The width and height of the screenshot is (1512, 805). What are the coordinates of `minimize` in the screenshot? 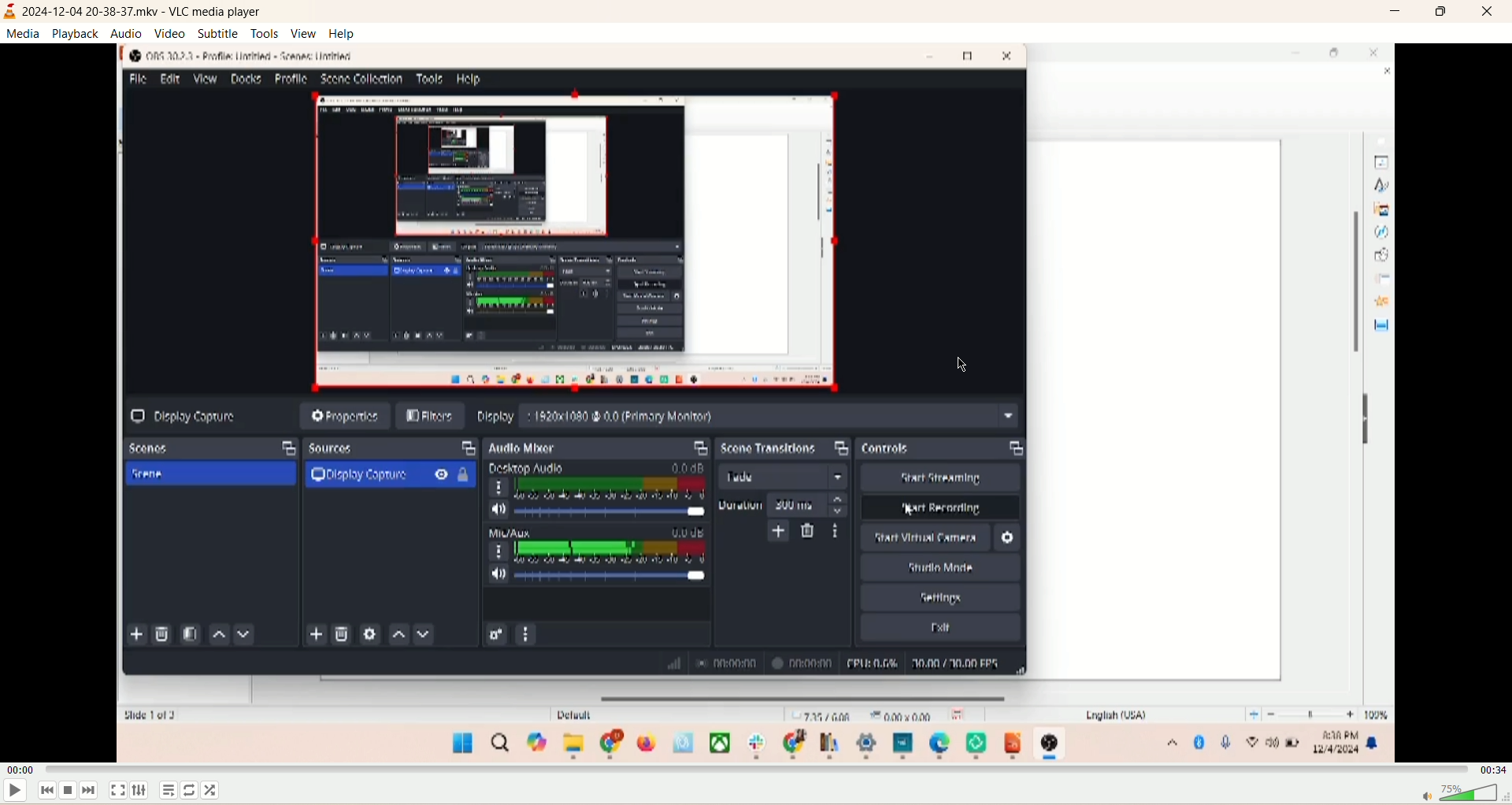 It's located at (1393, 13).